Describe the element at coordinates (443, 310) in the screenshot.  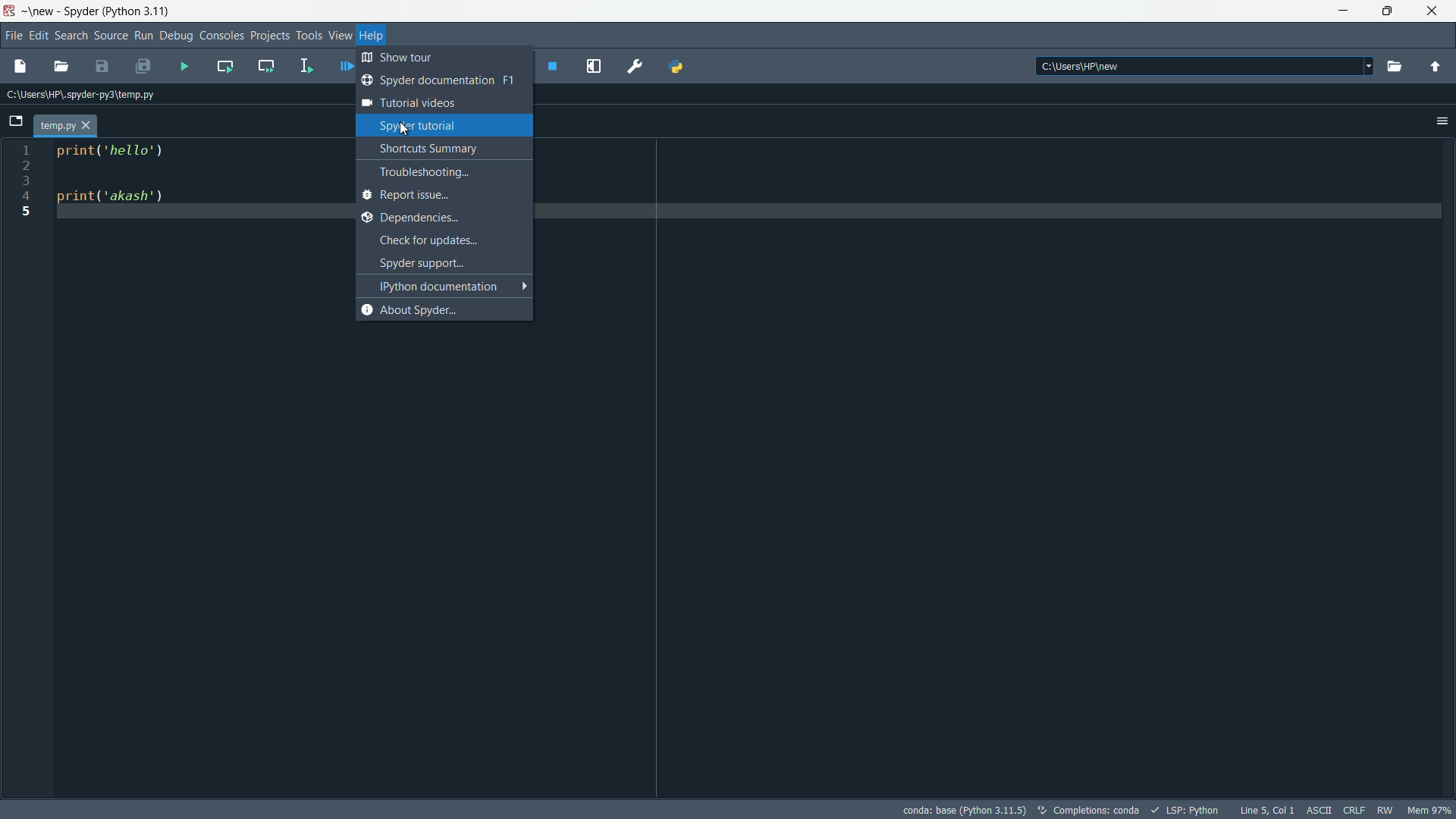
I see `about spyder` at that location.